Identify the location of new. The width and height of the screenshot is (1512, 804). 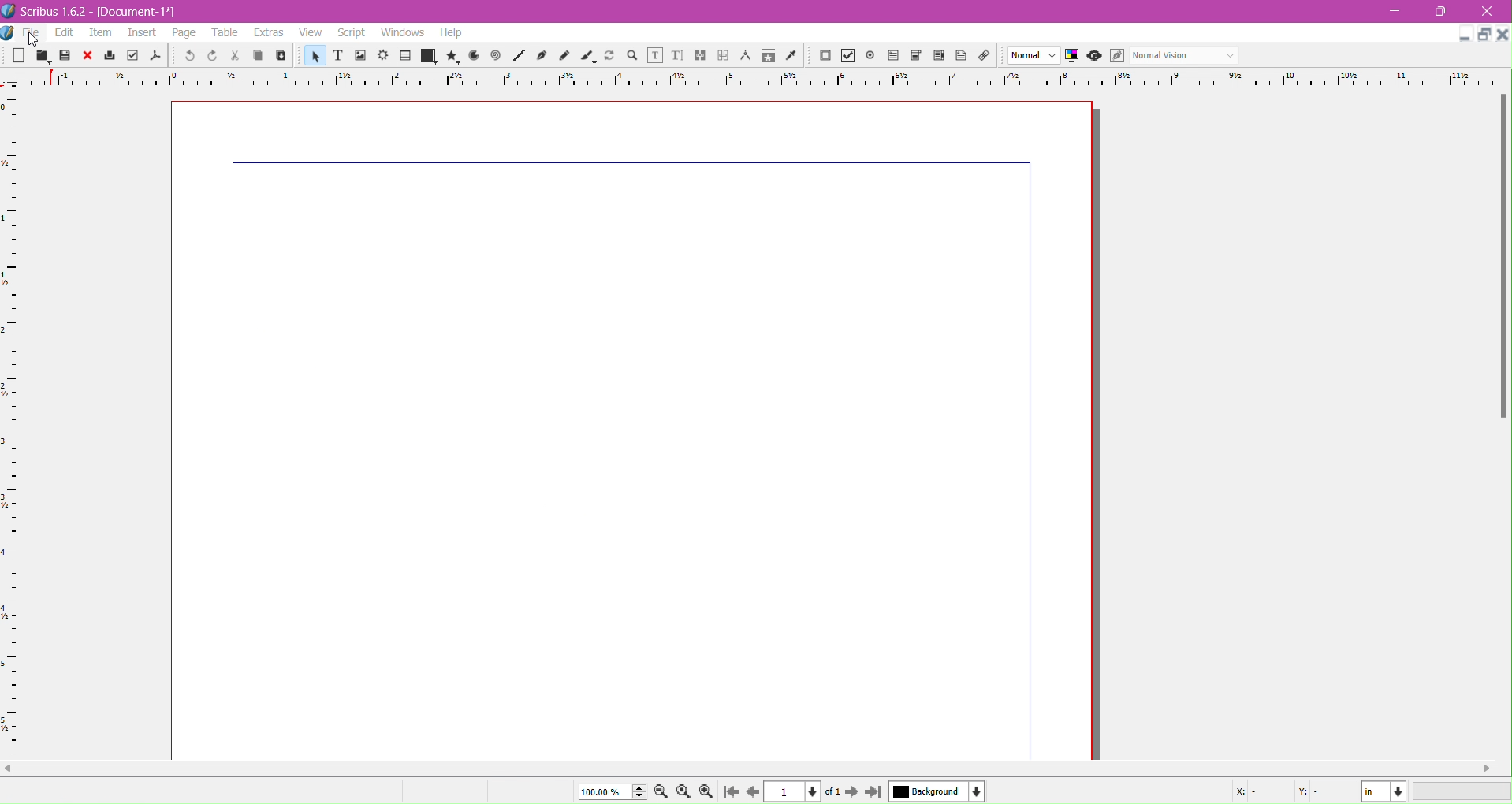
(17, 57).